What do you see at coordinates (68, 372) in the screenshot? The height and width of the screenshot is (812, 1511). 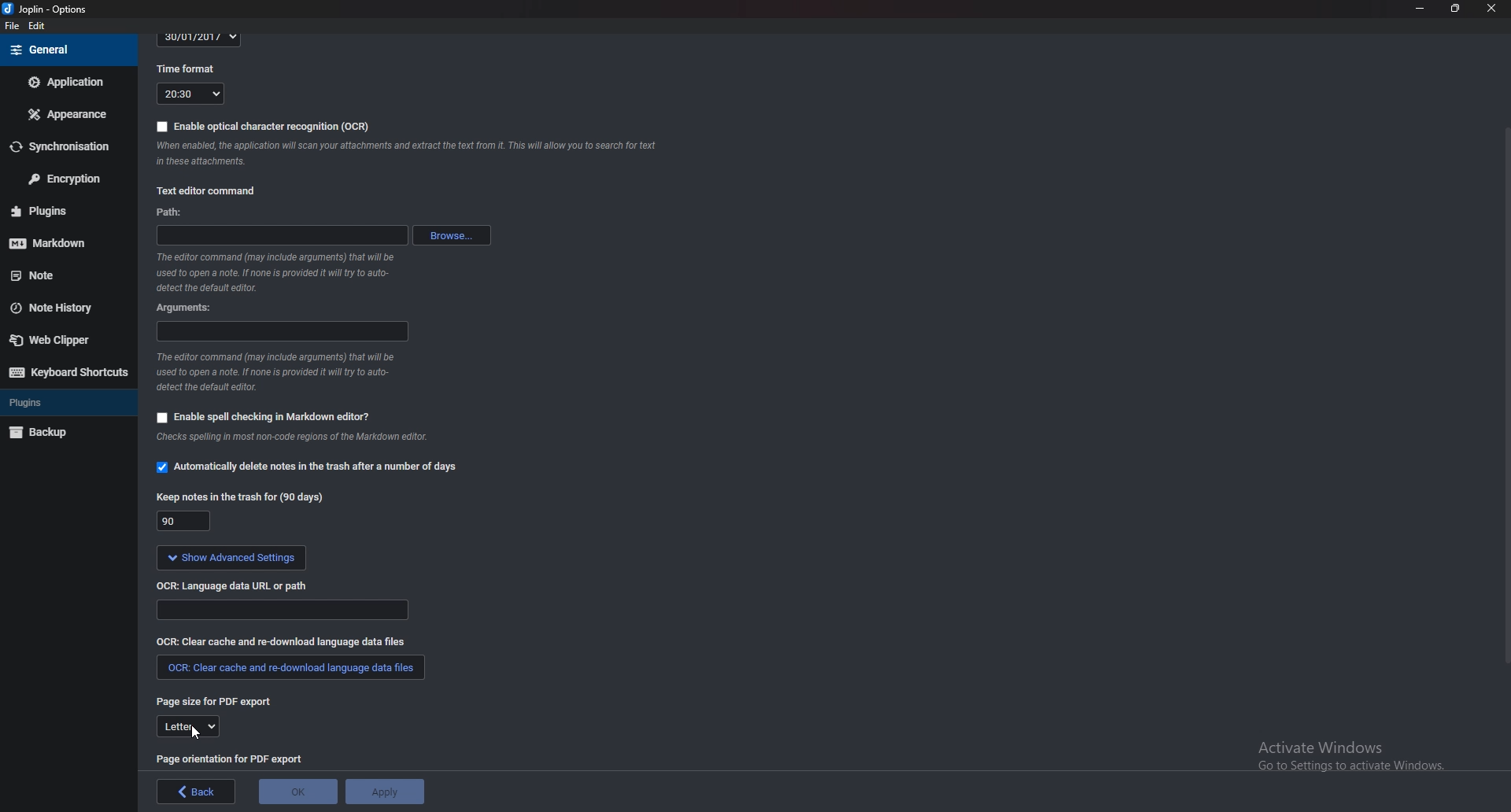 I see `Keyboard shortcuts` at bounding box center [68, 372].